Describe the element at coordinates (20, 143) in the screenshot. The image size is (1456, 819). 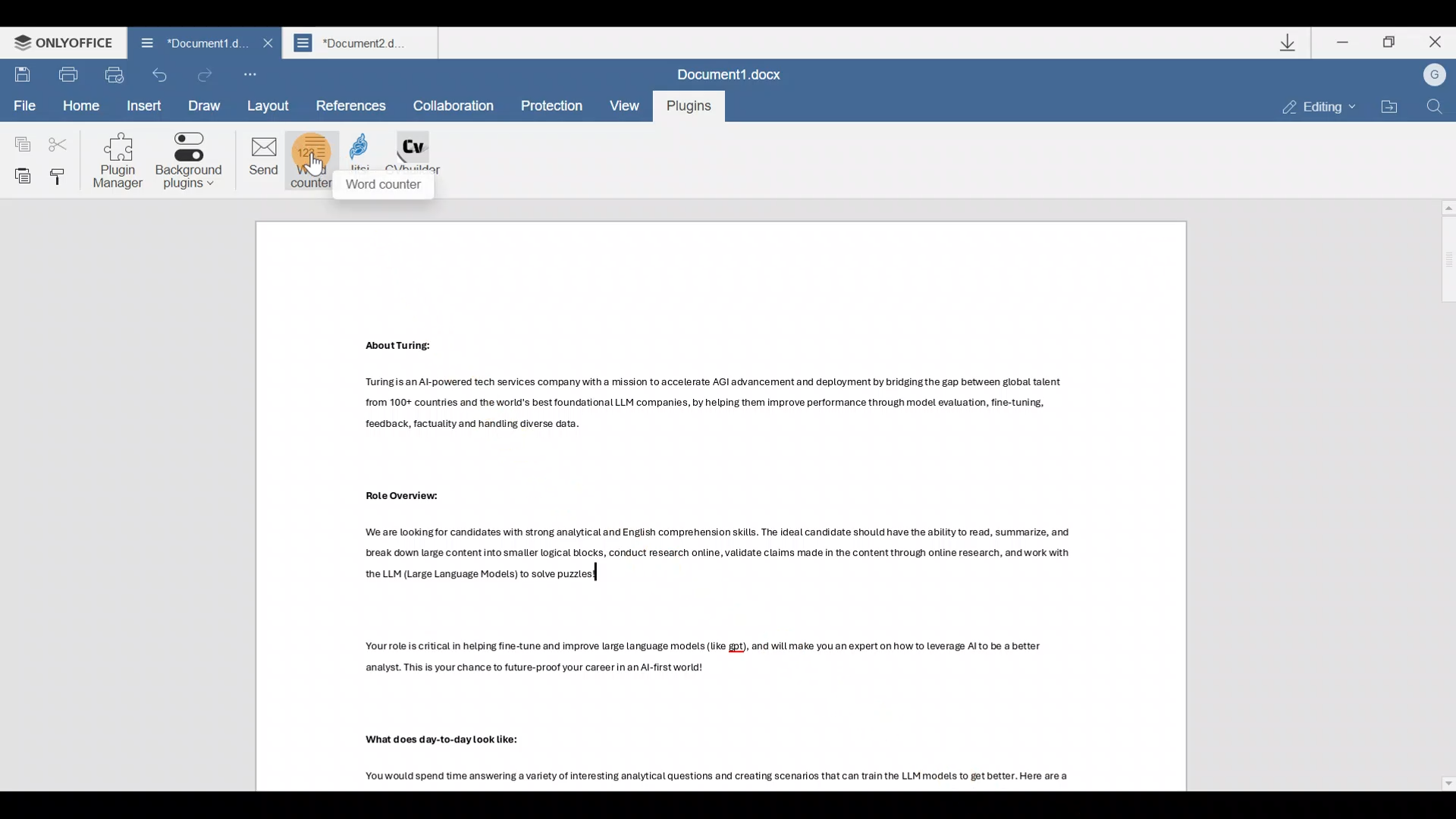
I see `Copy` at that location.